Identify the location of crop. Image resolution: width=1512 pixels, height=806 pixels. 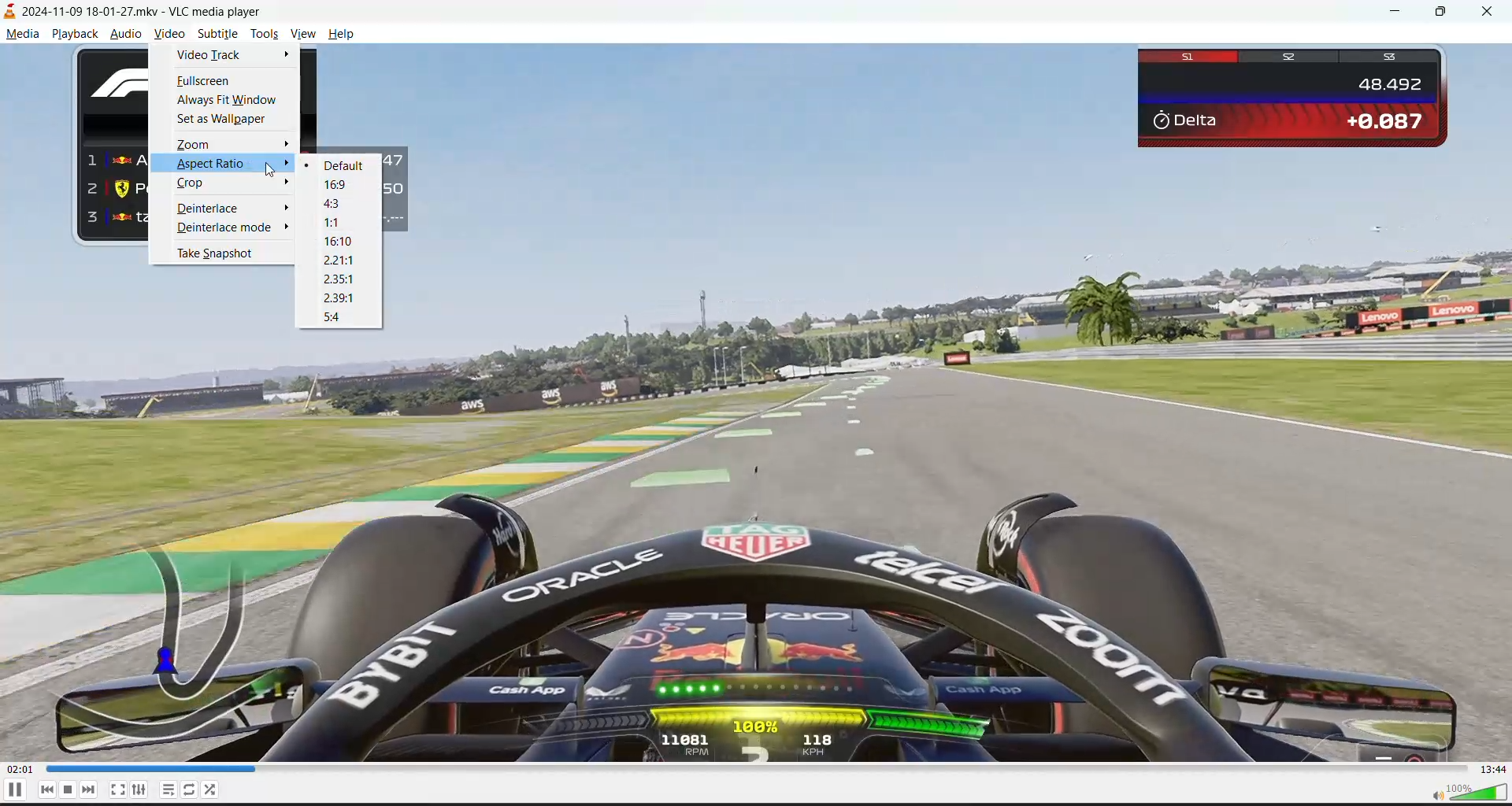
(198, 183).